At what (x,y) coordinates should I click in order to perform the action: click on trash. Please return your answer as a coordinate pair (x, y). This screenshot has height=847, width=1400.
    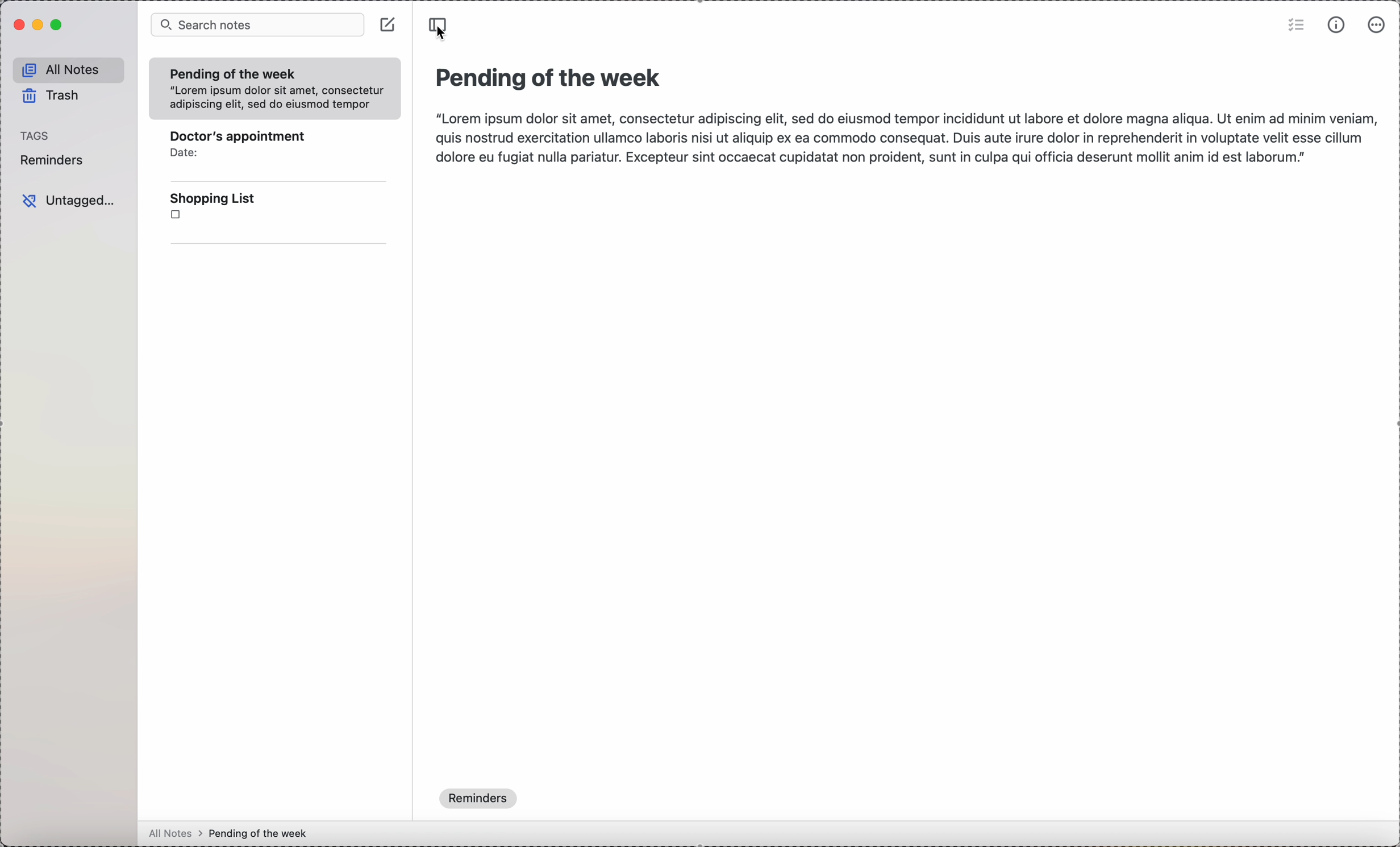
    Looking at the image, I should click on (53, 97).